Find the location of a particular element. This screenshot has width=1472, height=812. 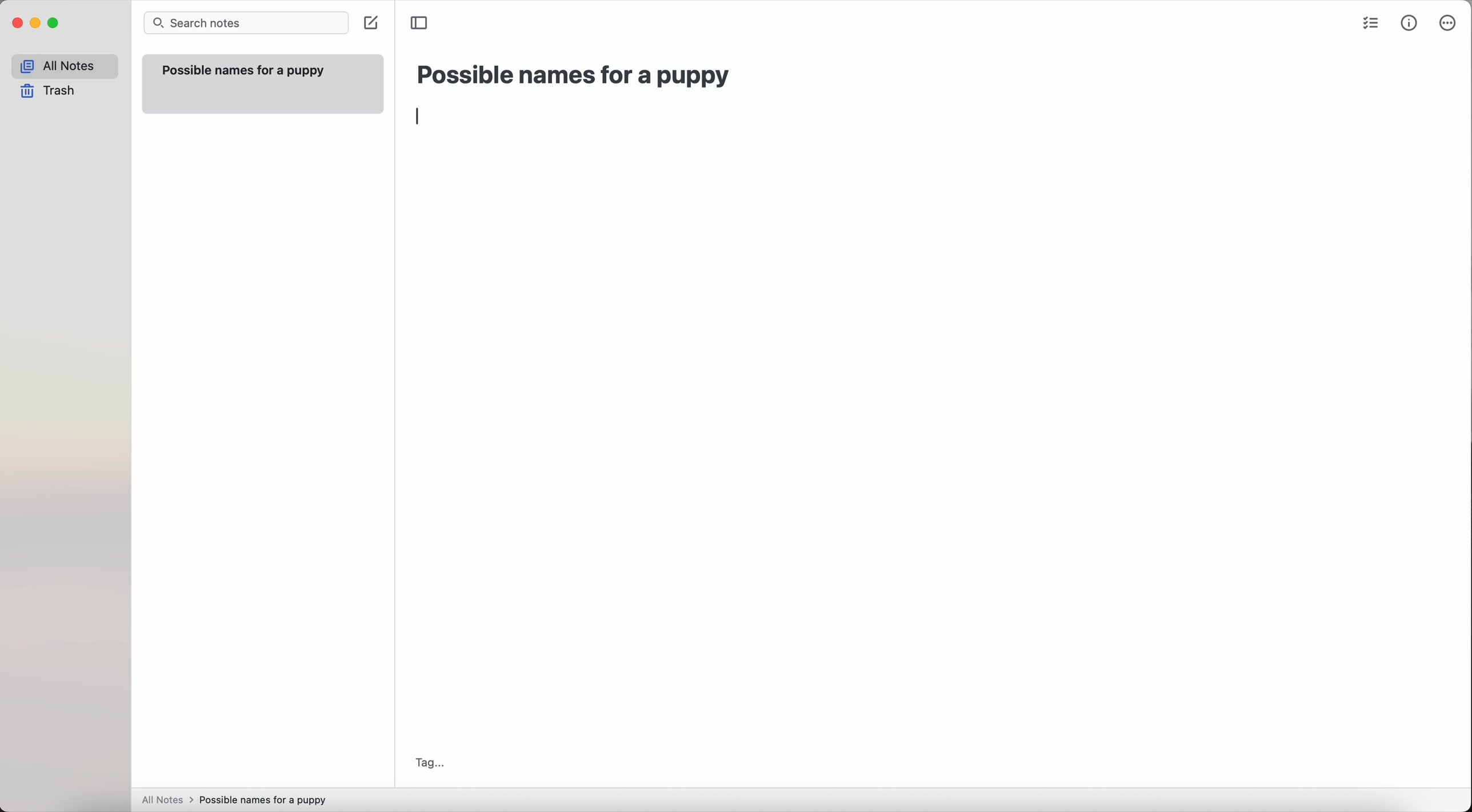

tag is located at coordinates (429, 762).